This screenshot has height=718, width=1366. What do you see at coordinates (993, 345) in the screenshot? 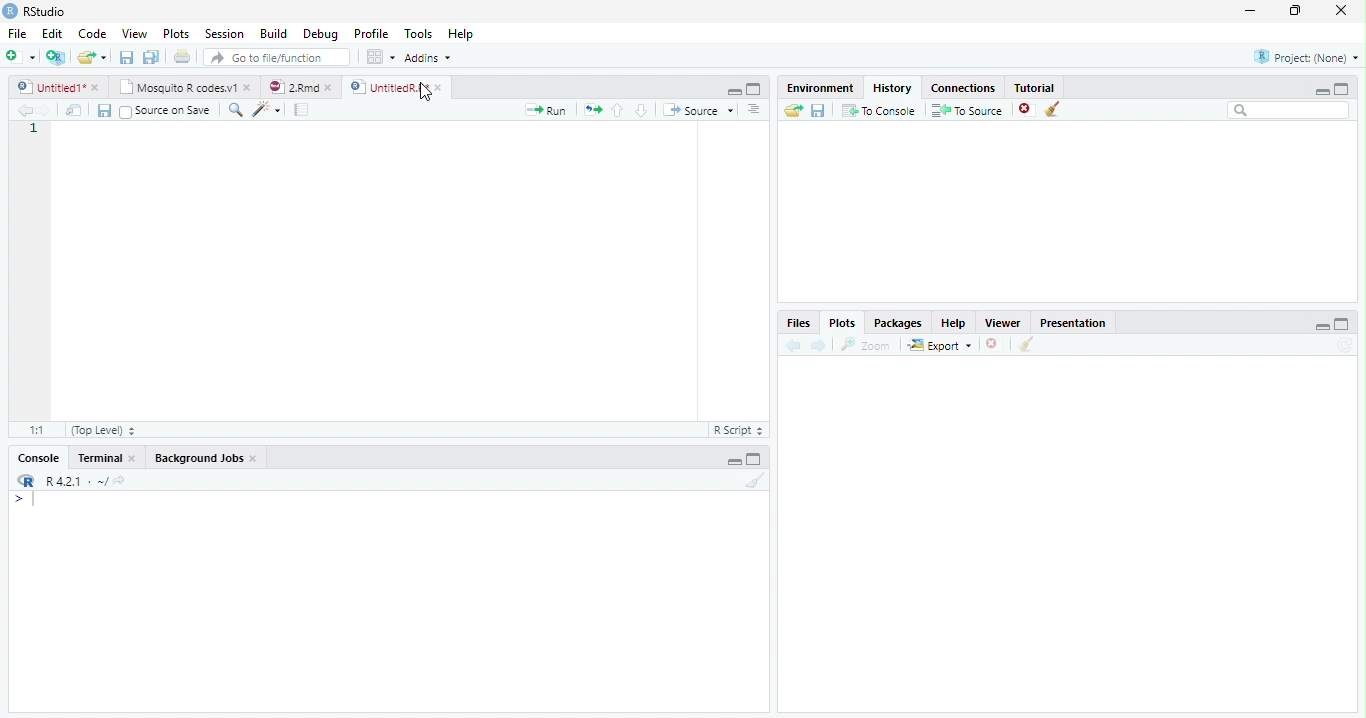
I see `Delete` at bounding box center [993, 345].